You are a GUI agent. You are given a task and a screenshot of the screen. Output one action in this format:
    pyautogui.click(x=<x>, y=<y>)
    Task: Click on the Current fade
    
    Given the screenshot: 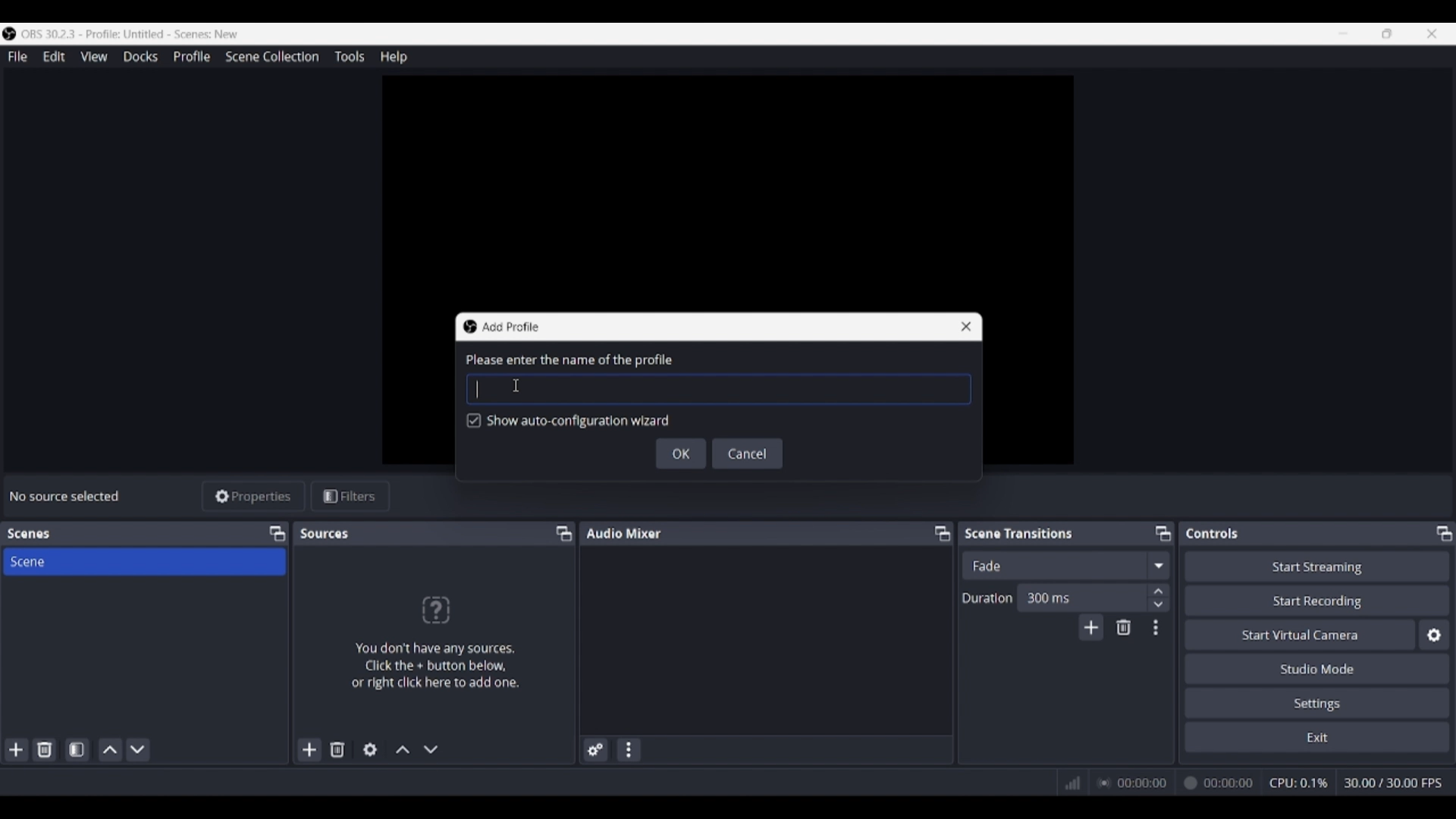 What is the action you would take?
    pyautogui.click(x=1053, y=565)
    